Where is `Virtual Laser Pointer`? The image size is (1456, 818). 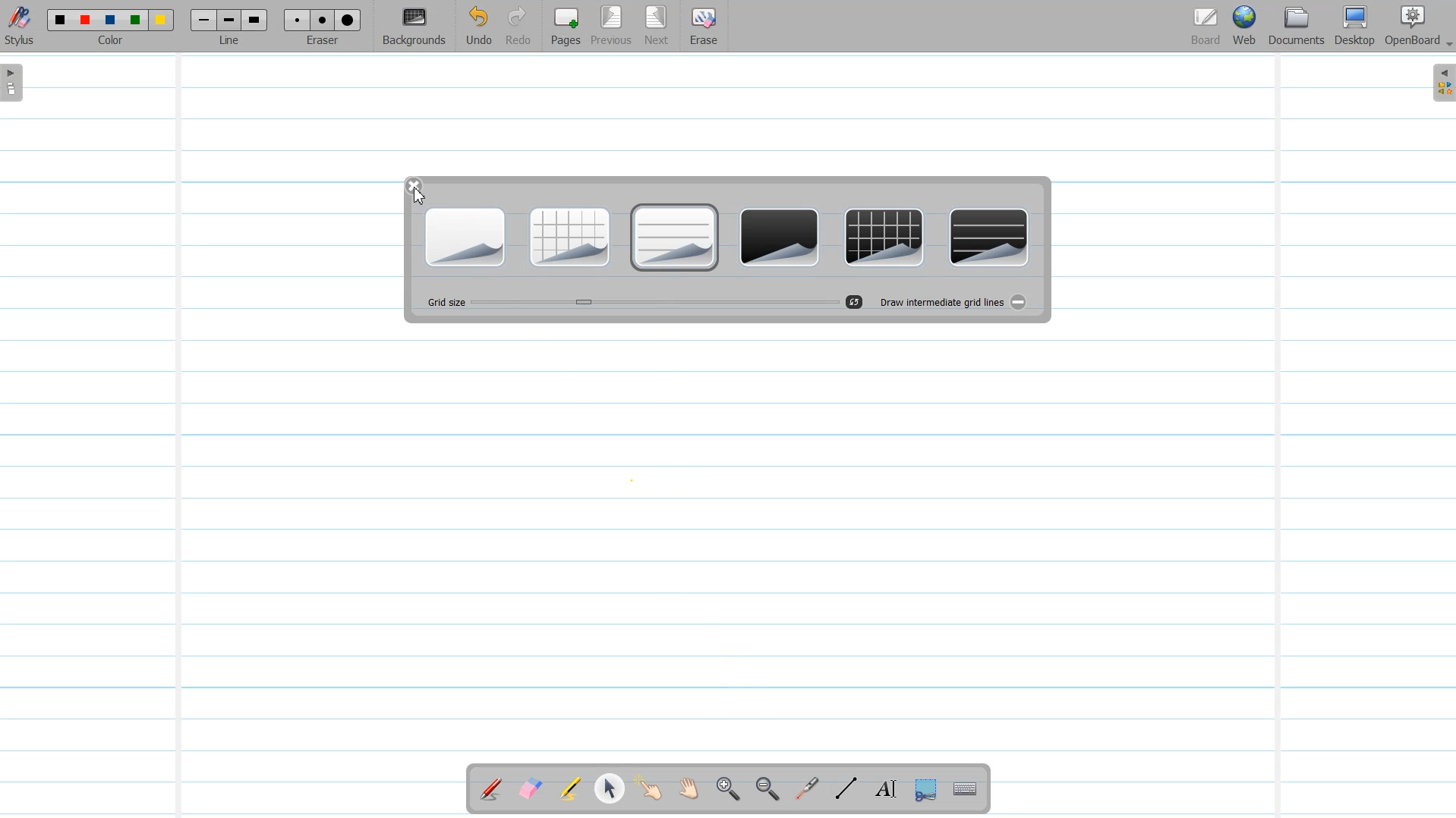
Virtual Laser Pointer is located at coordinates (803, 790).